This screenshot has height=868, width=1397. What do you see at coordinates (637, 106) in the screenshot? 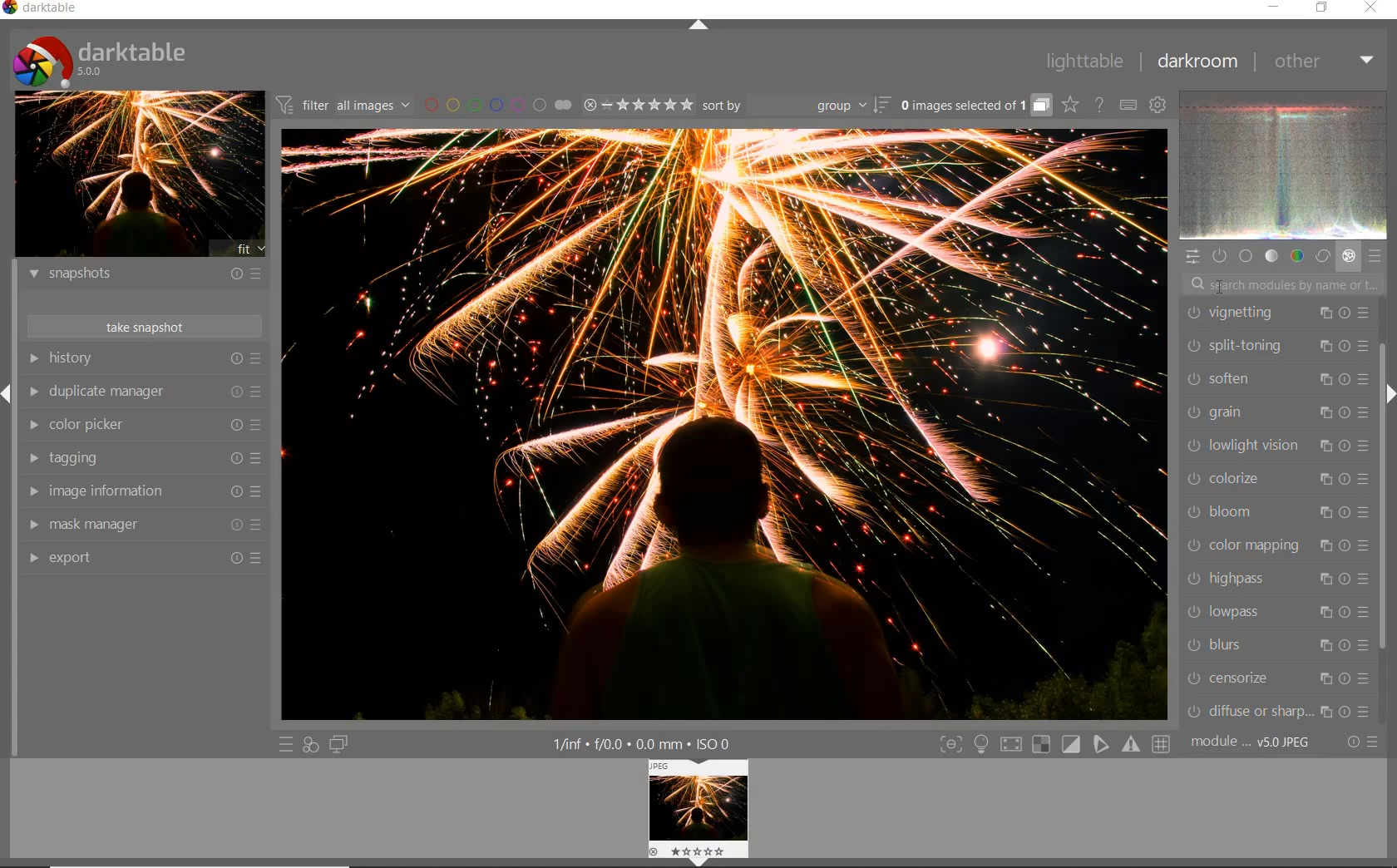
I see `range ratings for selected images` at bounding box center [637, 106].